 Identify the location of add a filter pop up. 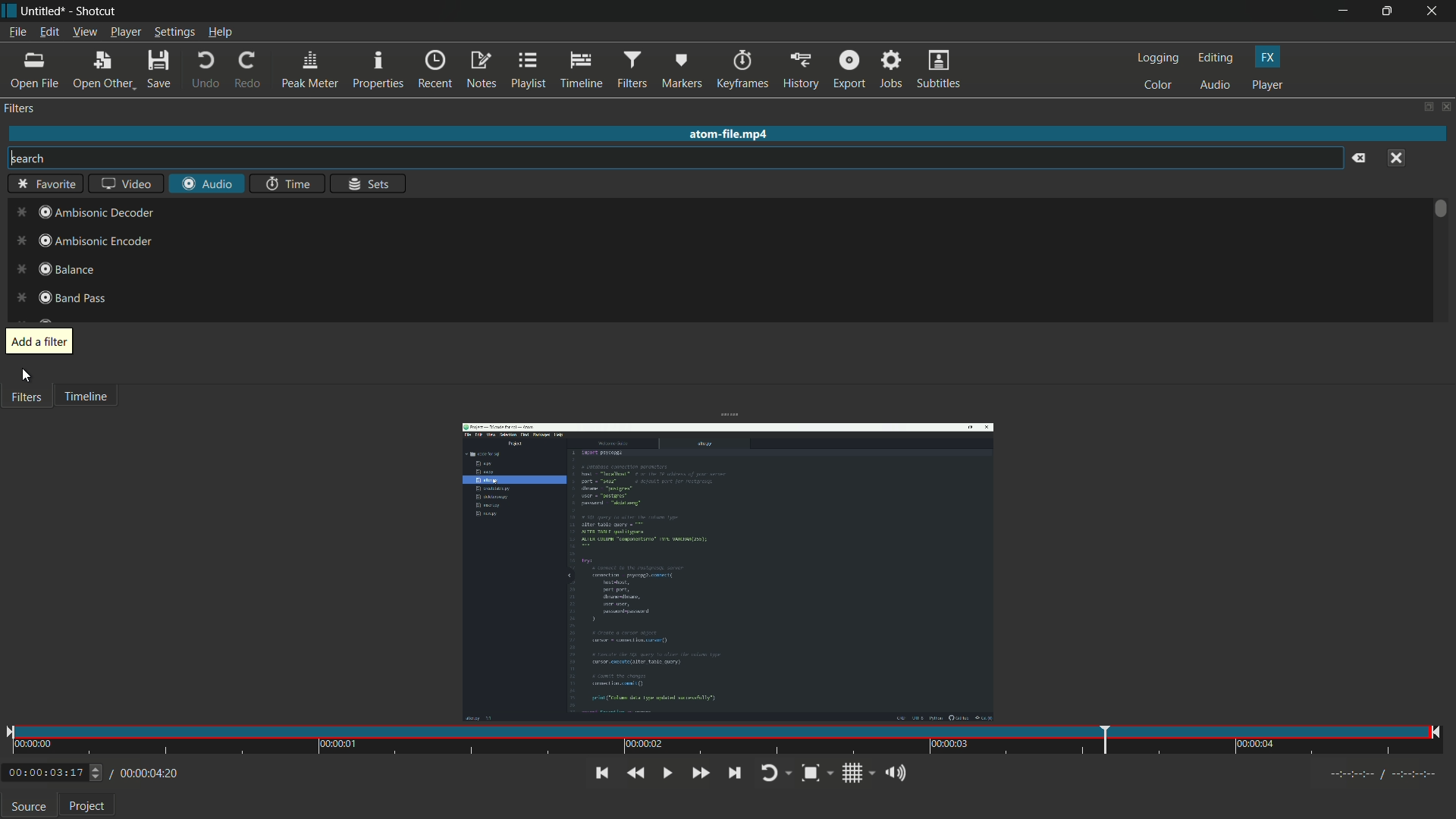
(39, 342).